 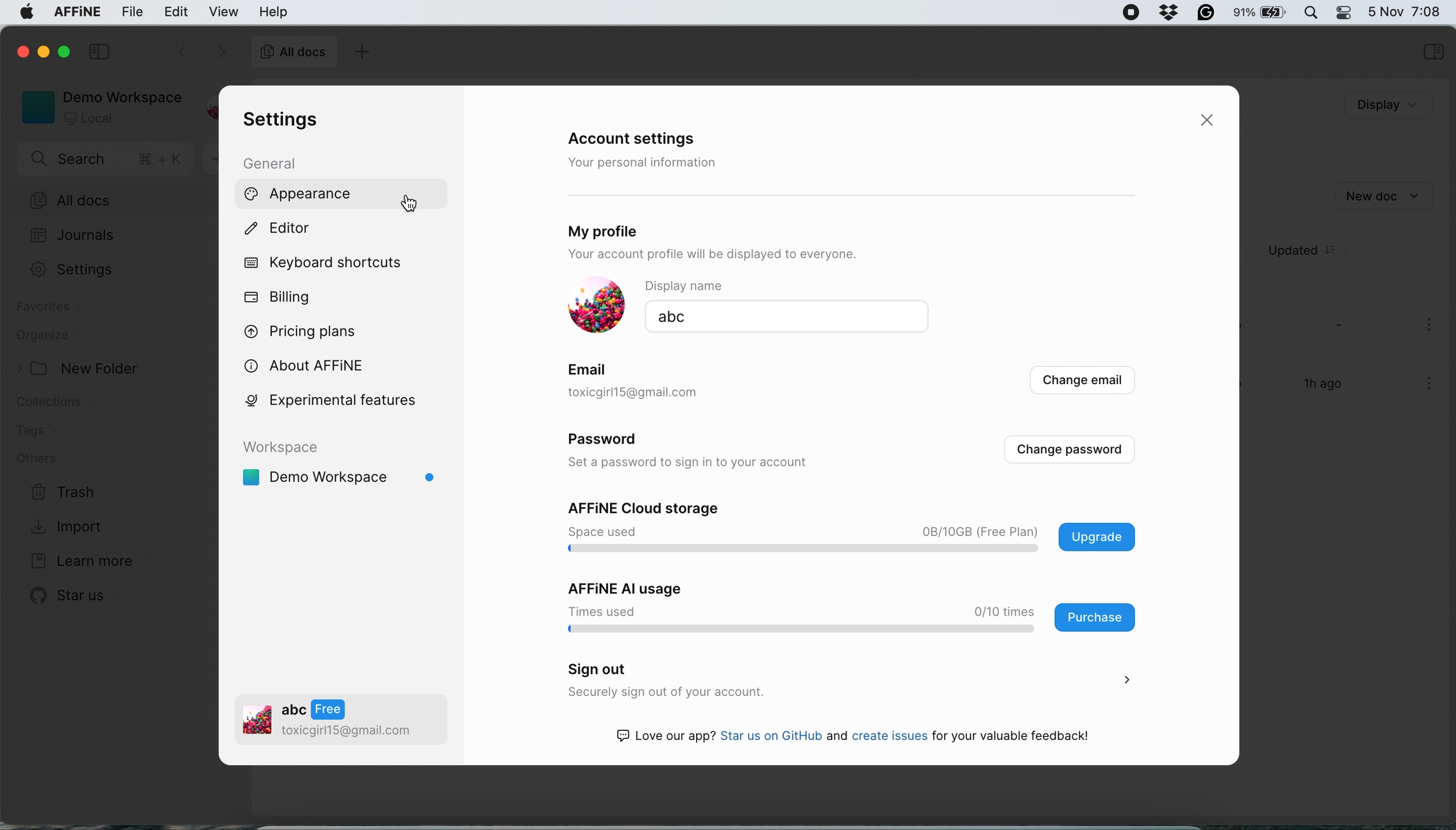 What do you see at coordinates (1003, 611) in the screenshot?
I see `0/10 times` at bounding box center [1003, 611].